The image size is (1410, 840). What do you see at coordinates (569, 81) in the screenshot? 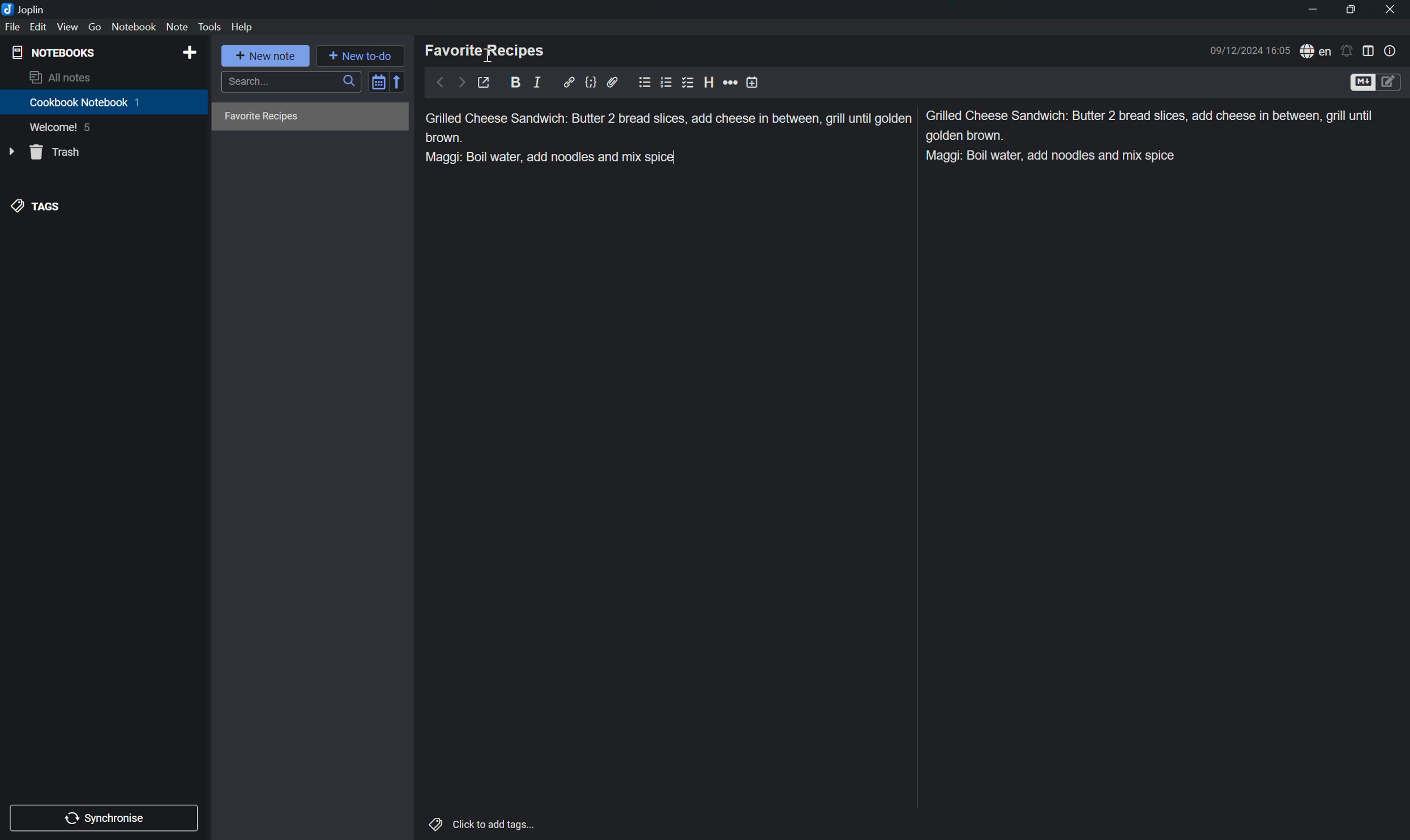
I see `Insert/edit link` at bounding box center [569, 81].